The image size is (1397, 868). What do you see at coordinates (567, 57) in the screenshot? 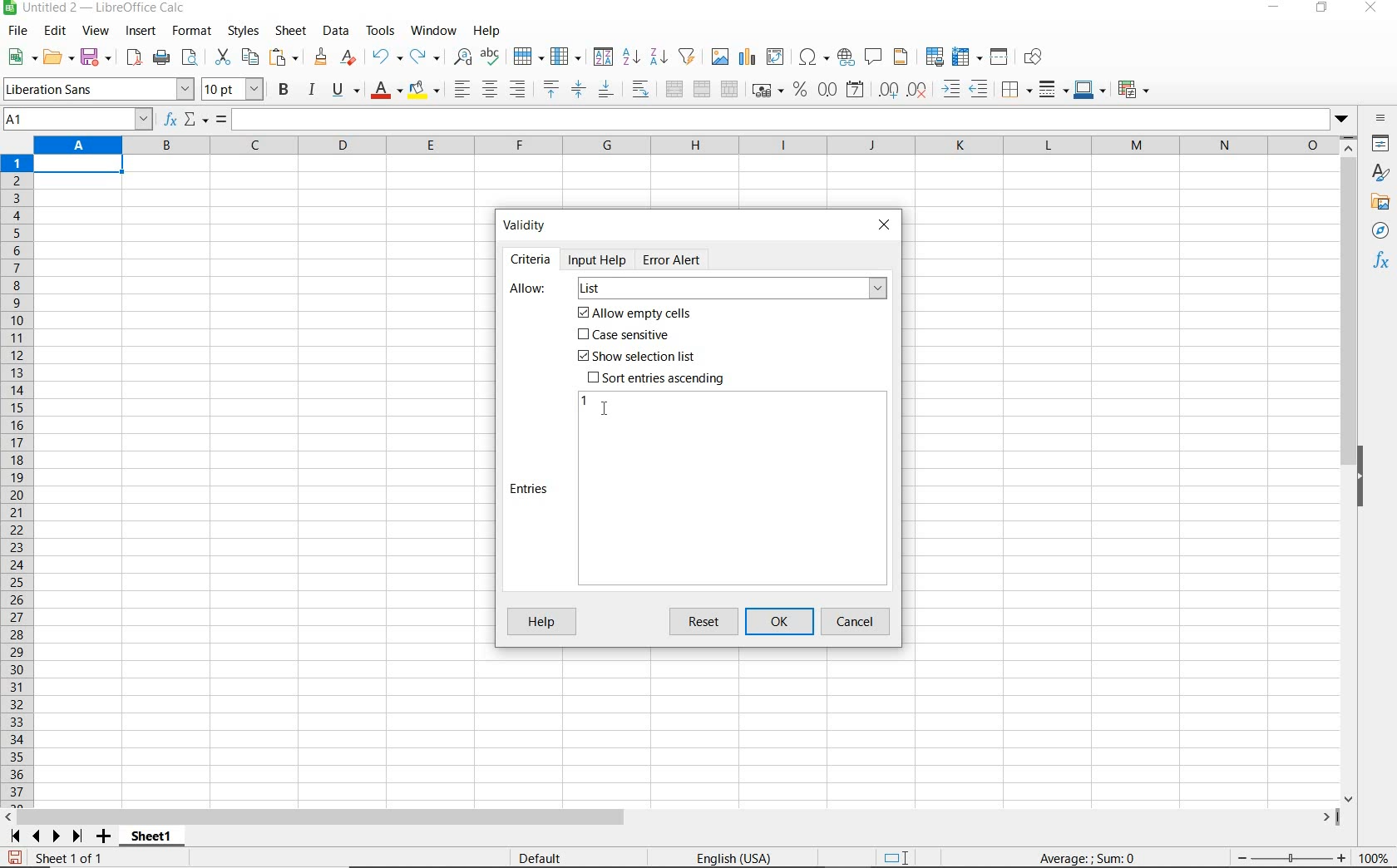
I see `column` at bounding box center [567, 57].